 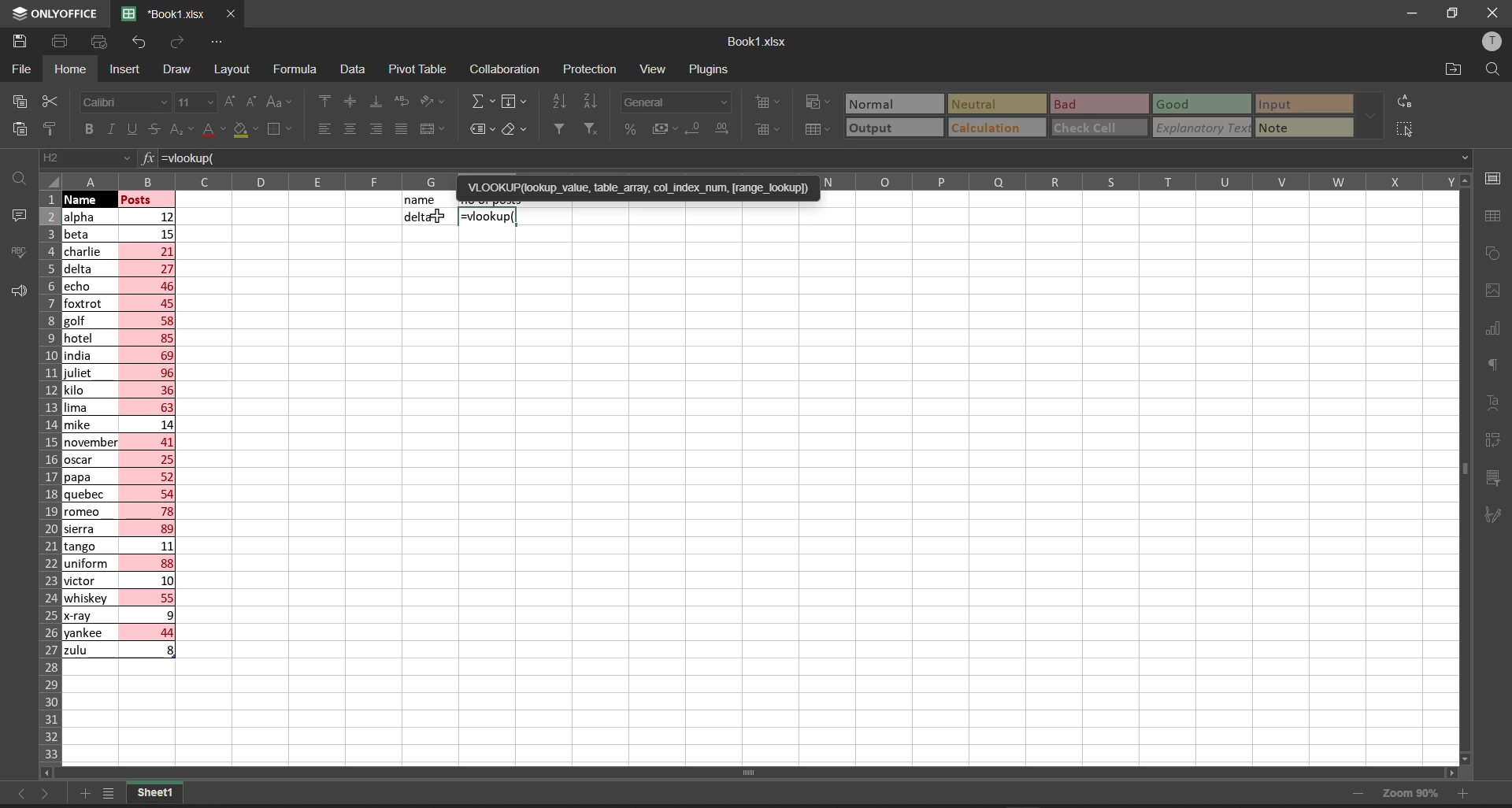 What do you see at coordinates (230, 102) in the screenshot?
I see `increment font size` at bounding box center [230, 102].